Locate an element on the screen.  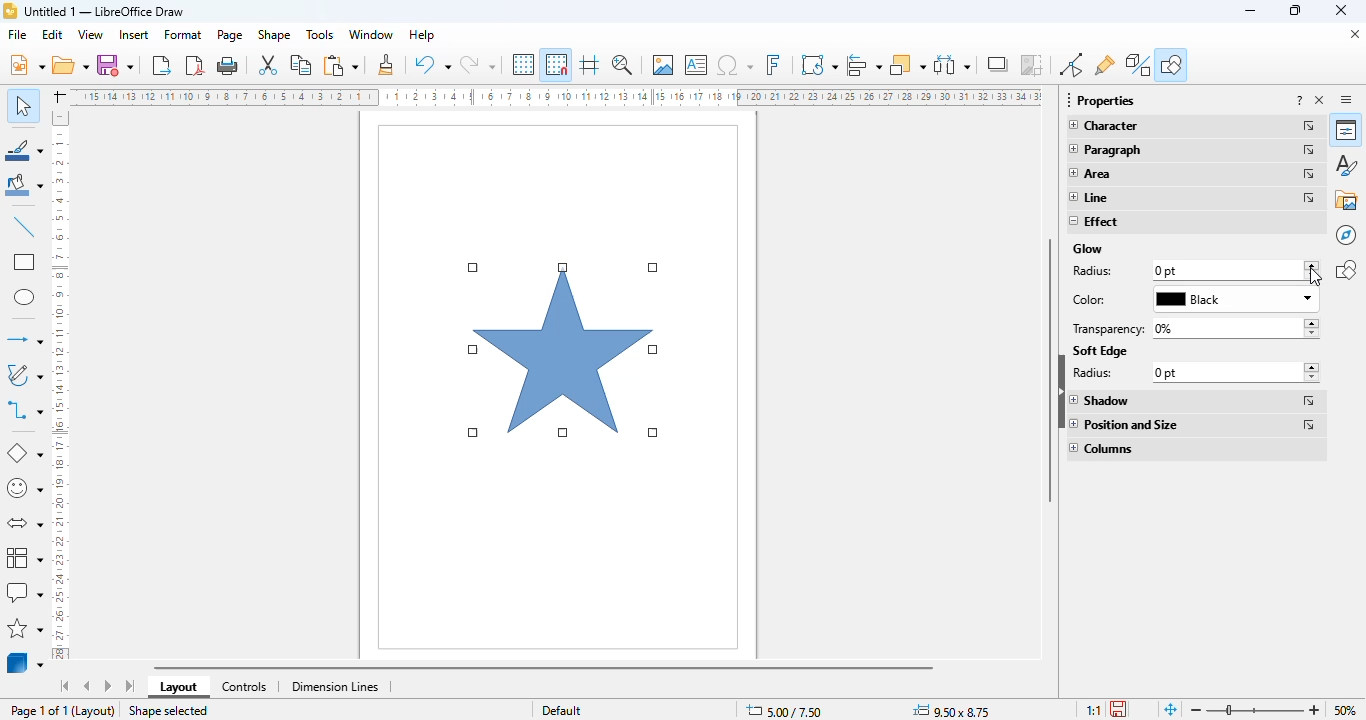
shadow is located at coordinates (998, 64).